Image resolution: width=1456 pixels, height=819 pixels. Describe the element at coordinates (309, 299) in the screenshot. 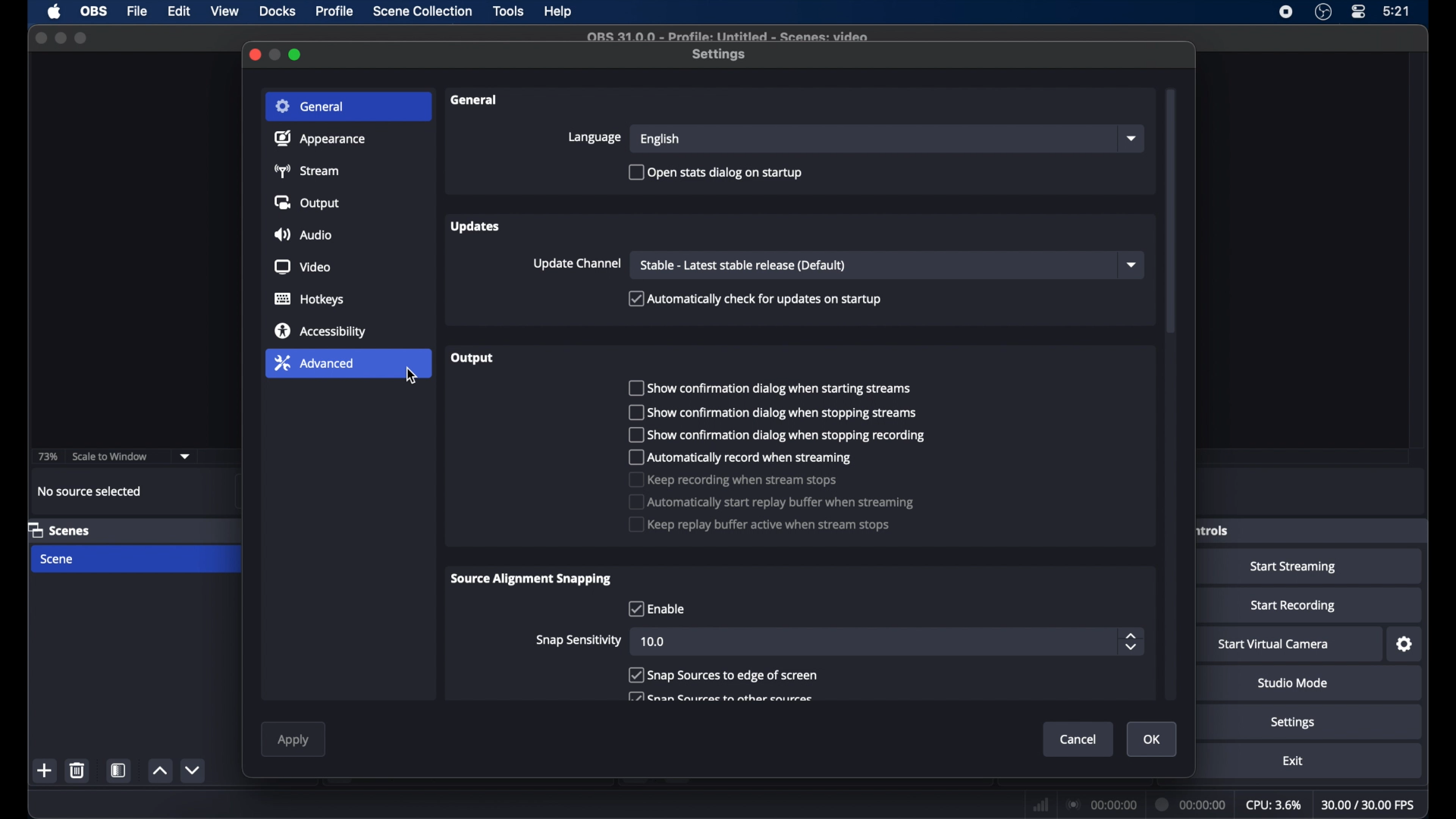

I see `hotkeys` at that location.